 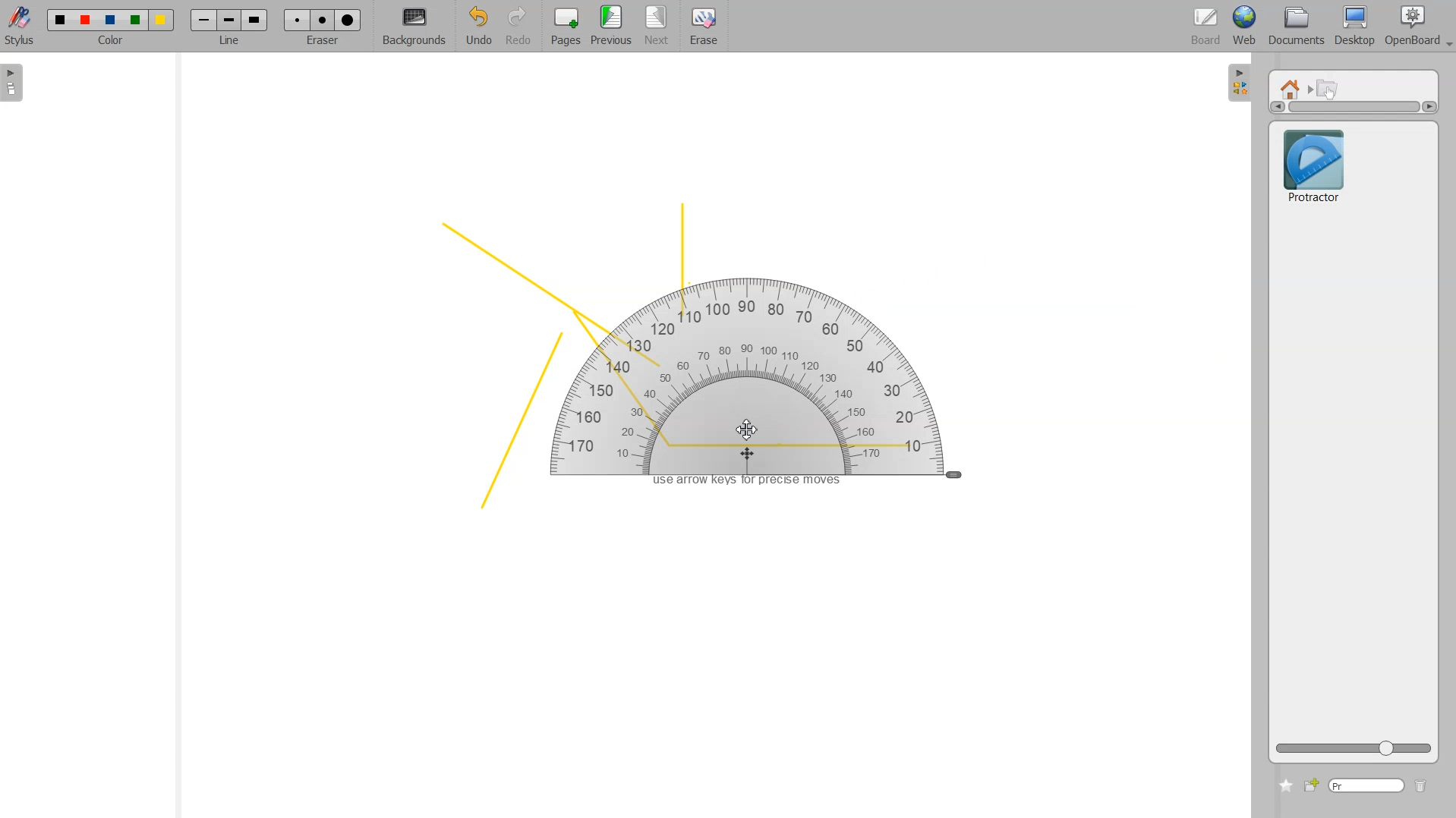 I want to click on ZOOM Icon , so click(x=1354, y=748).